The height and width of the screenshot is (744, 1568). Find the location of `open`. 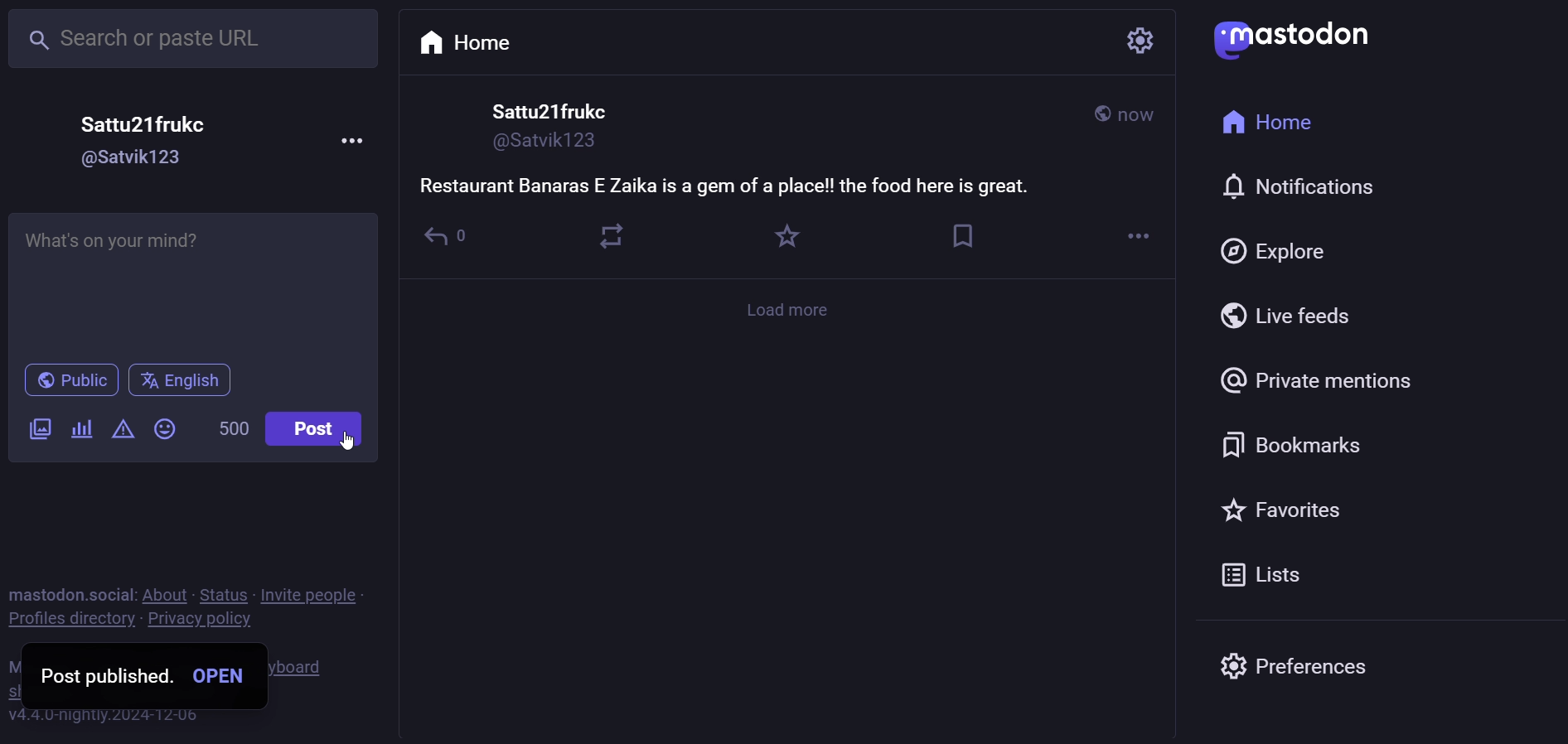

open is located at coordinates (220, 675).